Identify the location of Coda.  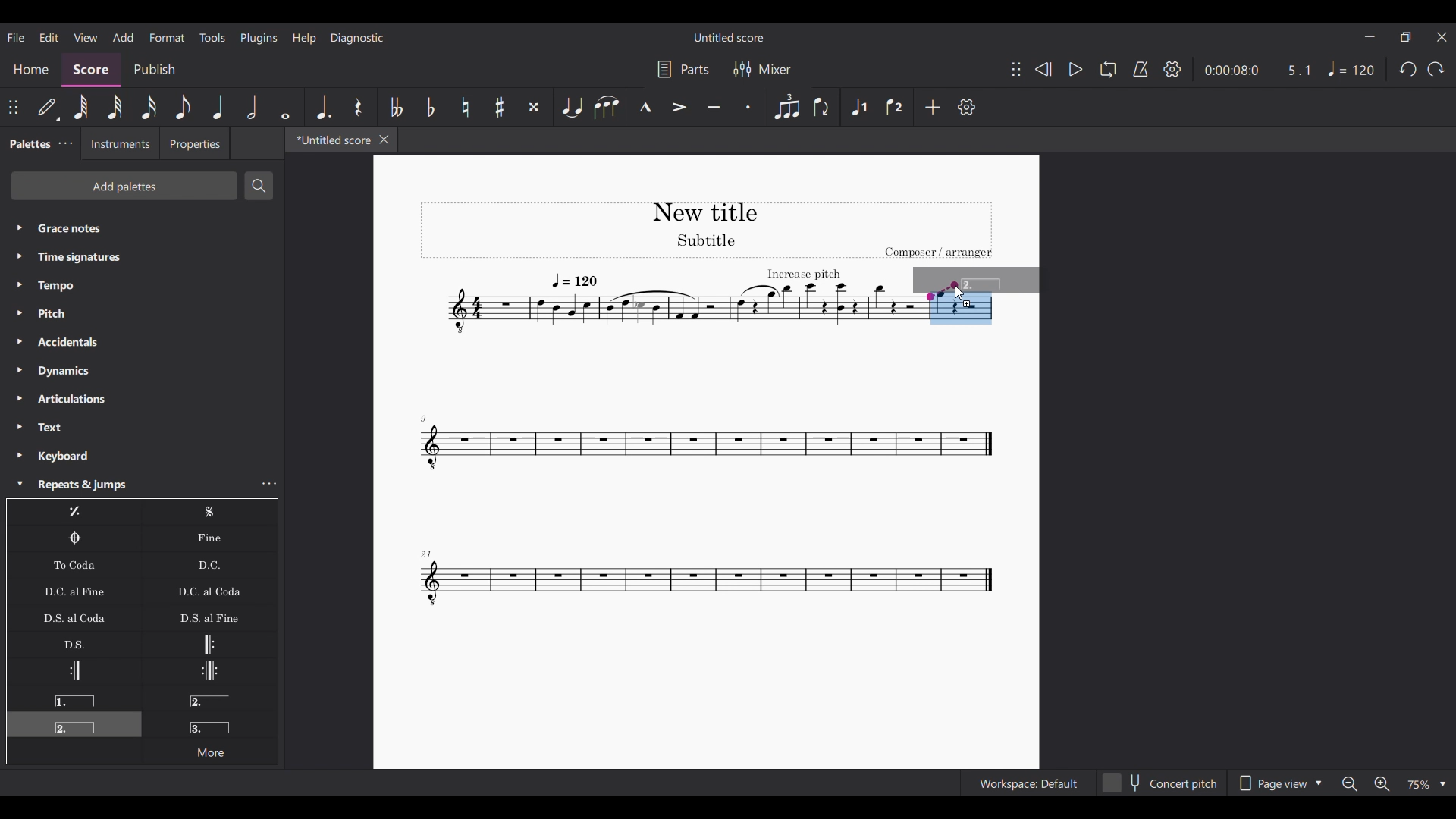
(74, 538).